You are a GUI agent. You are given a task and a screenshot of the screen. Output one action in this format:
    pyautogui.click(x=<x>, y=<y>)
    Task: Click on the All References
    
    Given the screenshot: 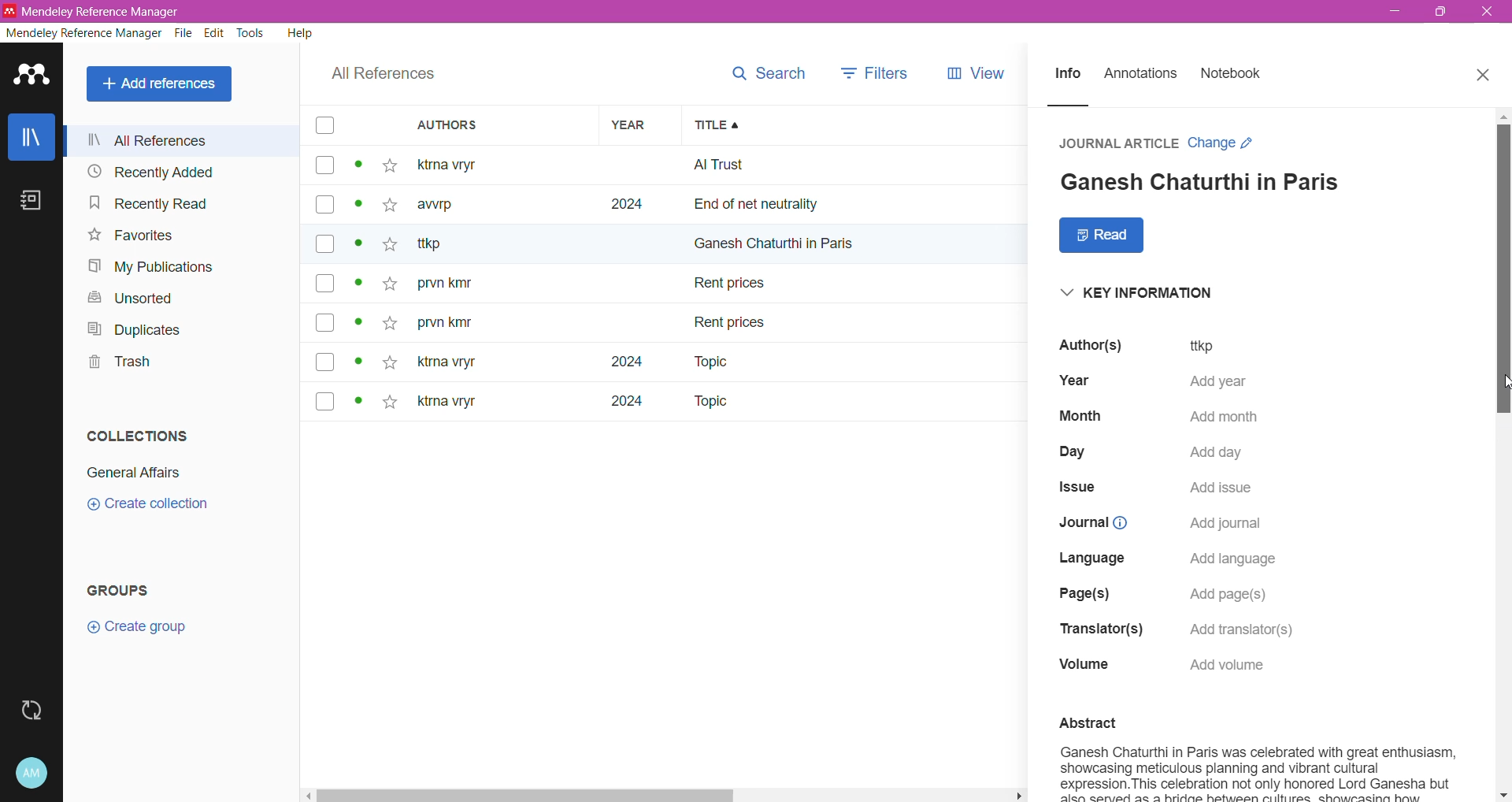 What is the action you would take?
    pyautogui.click(x=186, y=140)
    